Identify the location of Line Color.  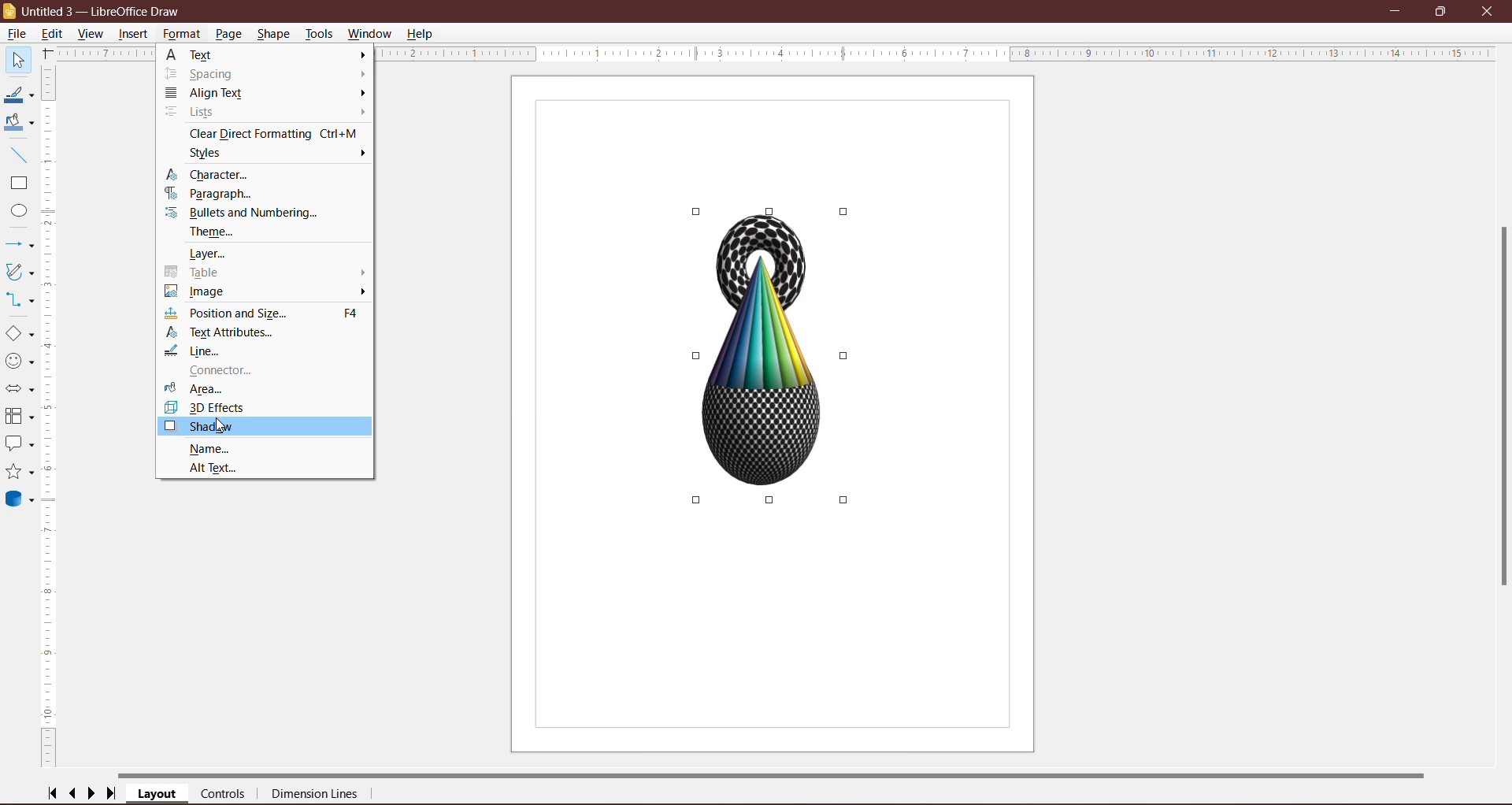
(19, 95).